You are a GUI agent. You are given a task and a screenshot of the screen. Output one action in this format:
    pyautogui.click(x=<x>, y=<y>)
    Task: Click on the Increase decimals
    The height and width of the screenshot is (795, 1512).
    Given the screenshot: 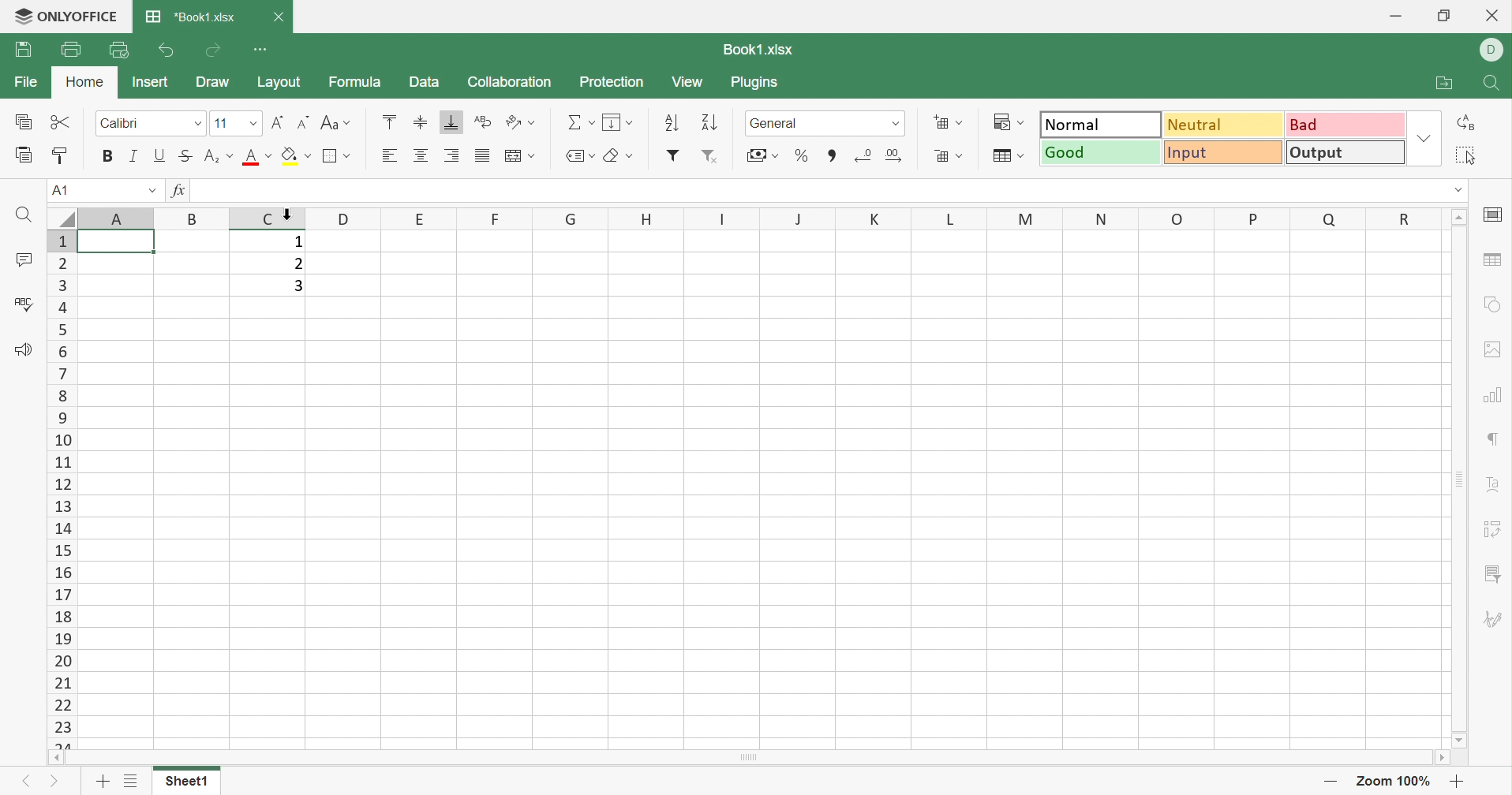 What is the action you would take?
    pyautogui.click(x=895, y=155)
    